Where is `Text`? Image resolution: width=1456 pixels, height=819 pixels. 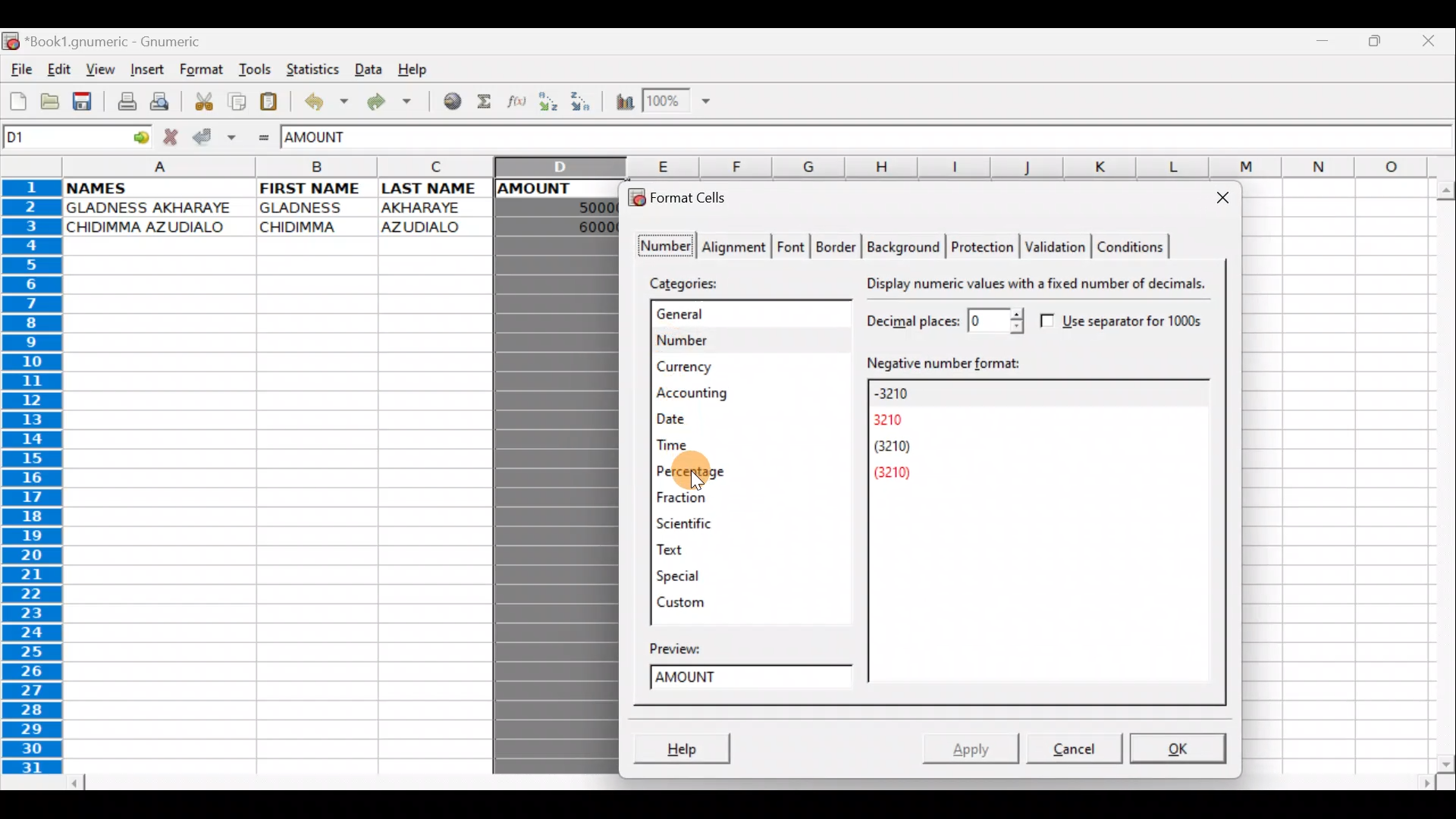
Text is located at coordinates (687, 550).